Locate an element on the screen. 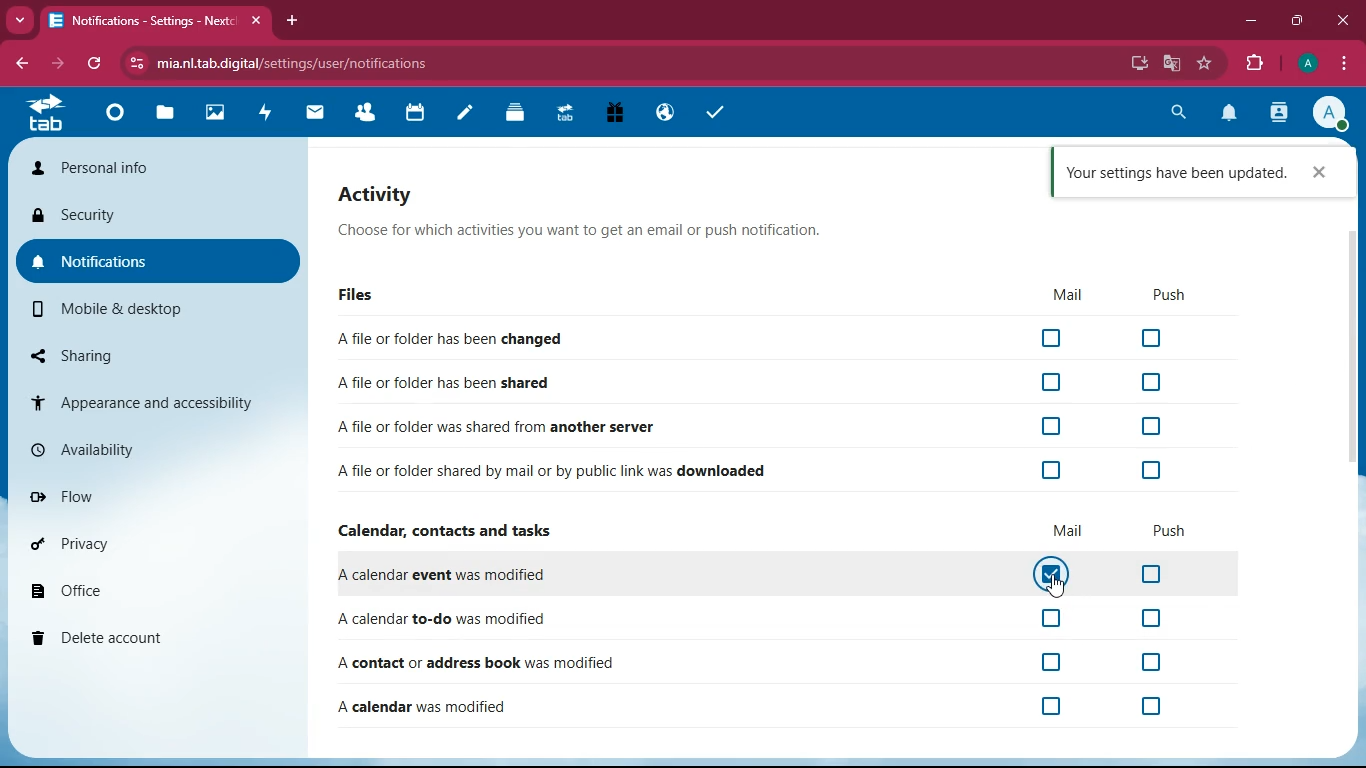 The height and width of the screenshot is (768, 1366). add tab is located at coordinates (295, 22).